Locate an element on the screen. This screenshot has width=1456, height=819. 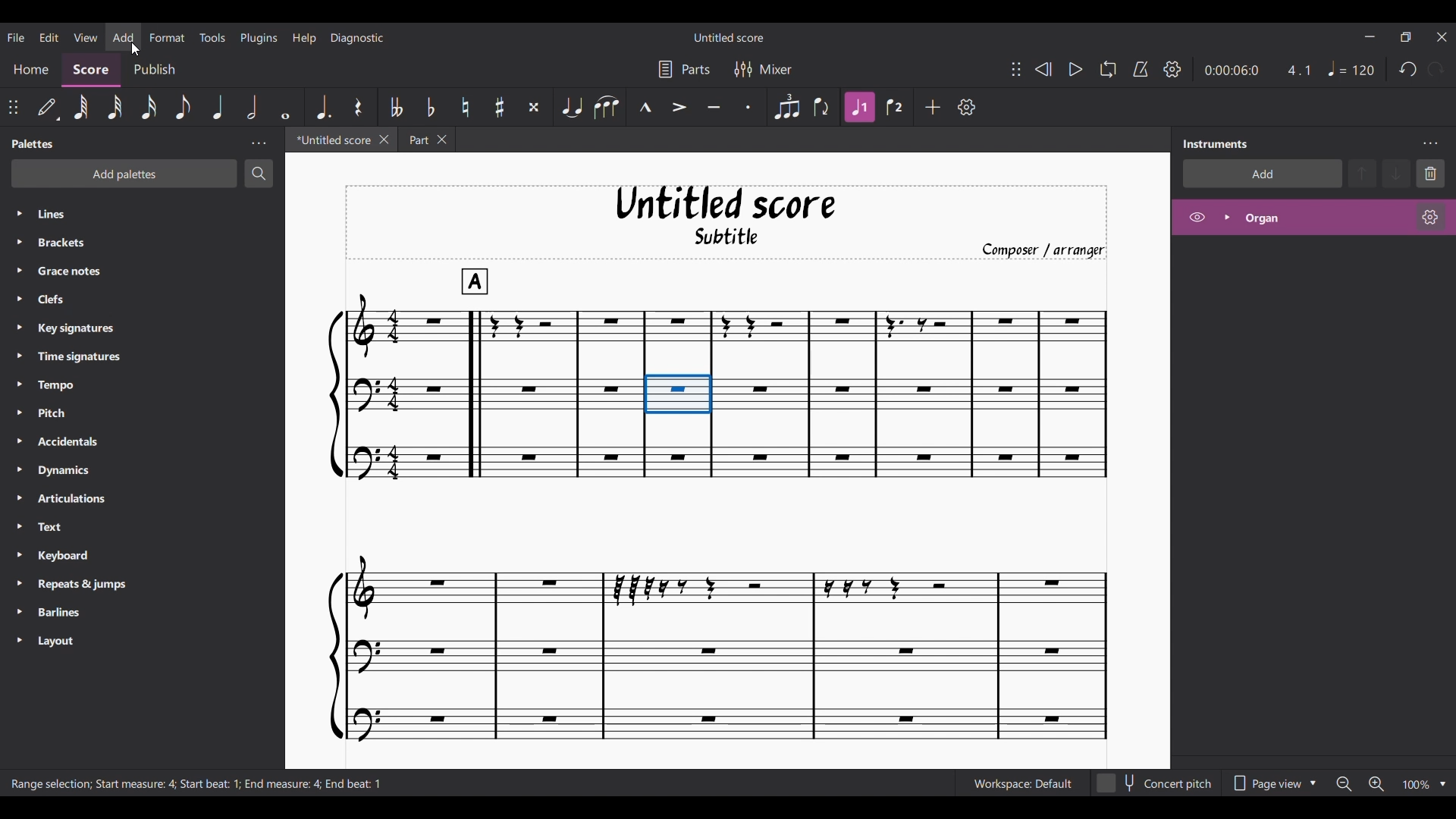
Quarter note is located at coordinates (218, 107).